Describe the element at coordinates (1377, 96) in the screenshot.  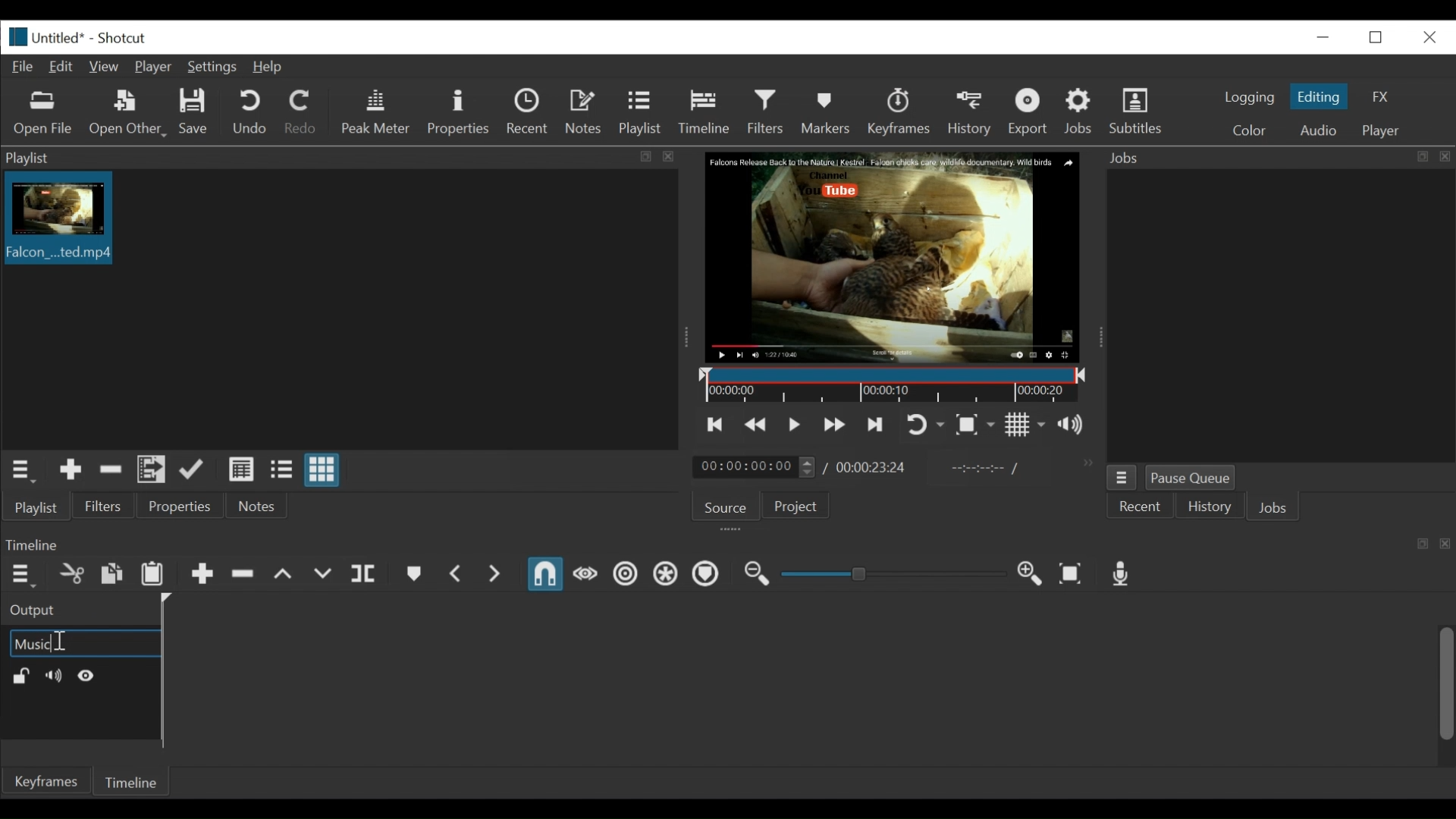
I see `FX` at that location.